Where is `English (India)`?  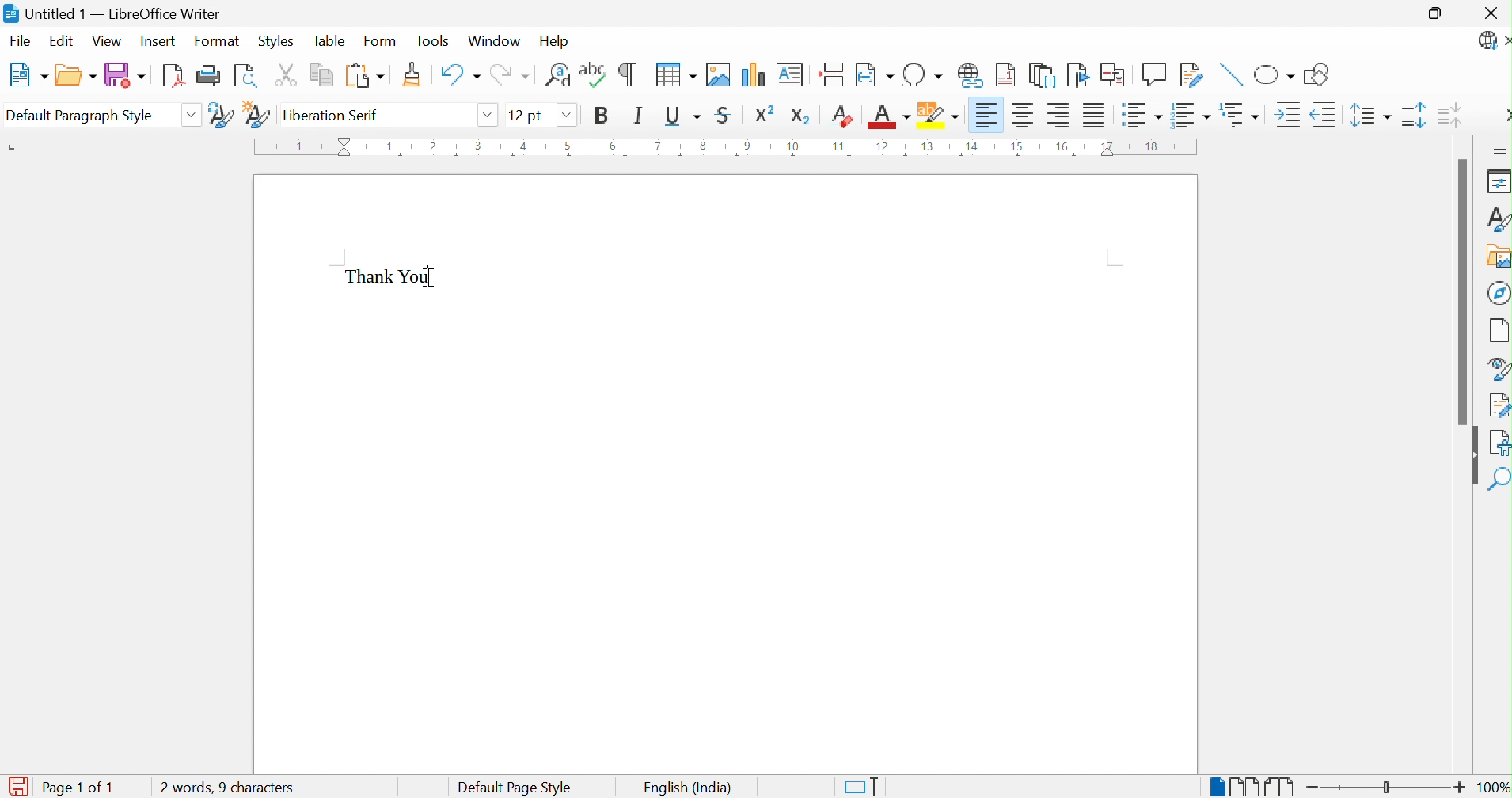
English (India) is located at coordinates (686, 787).